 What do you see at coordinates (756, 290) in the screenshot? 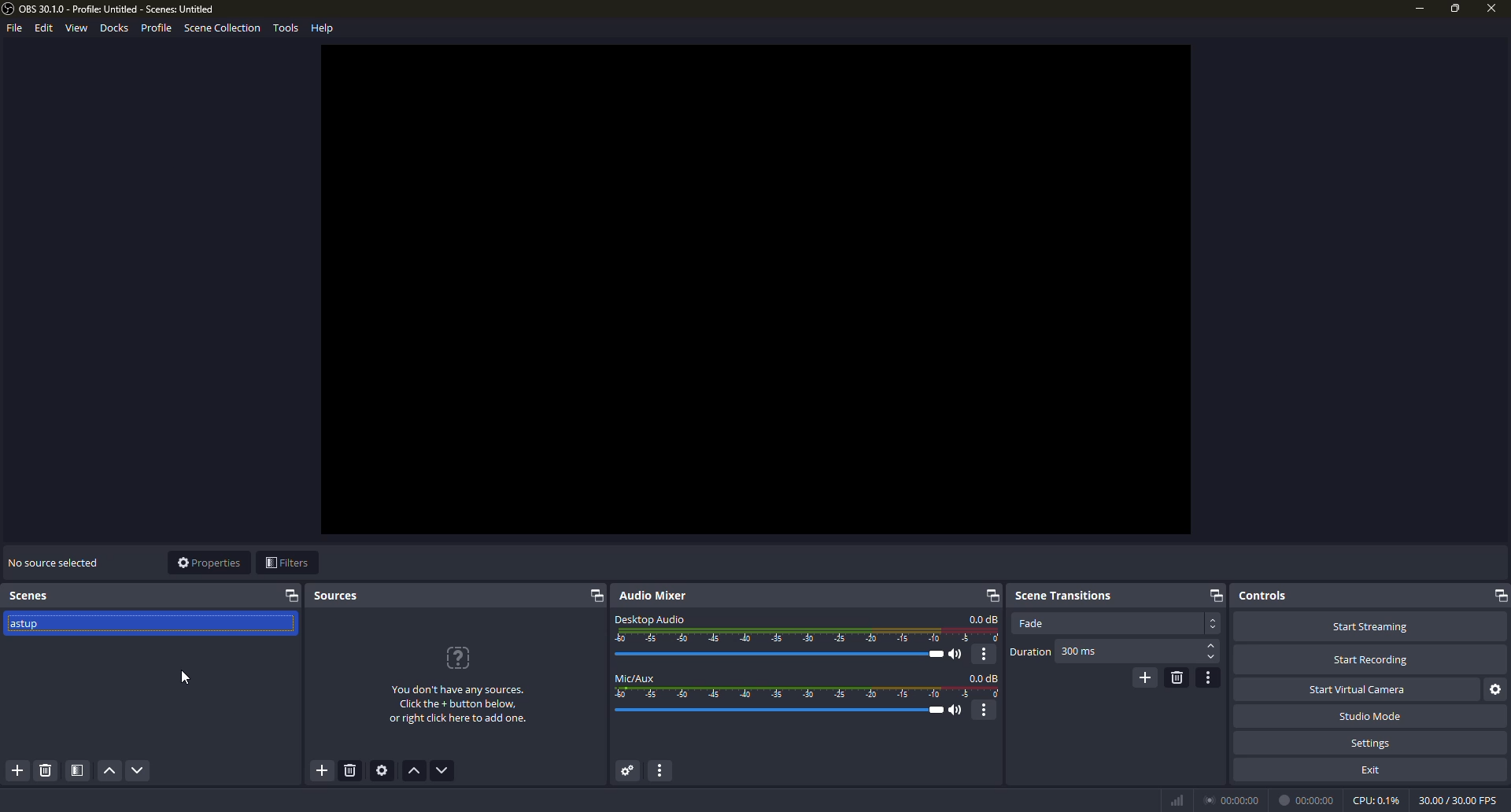
I see `workspace` at bounding box center [756, 290].